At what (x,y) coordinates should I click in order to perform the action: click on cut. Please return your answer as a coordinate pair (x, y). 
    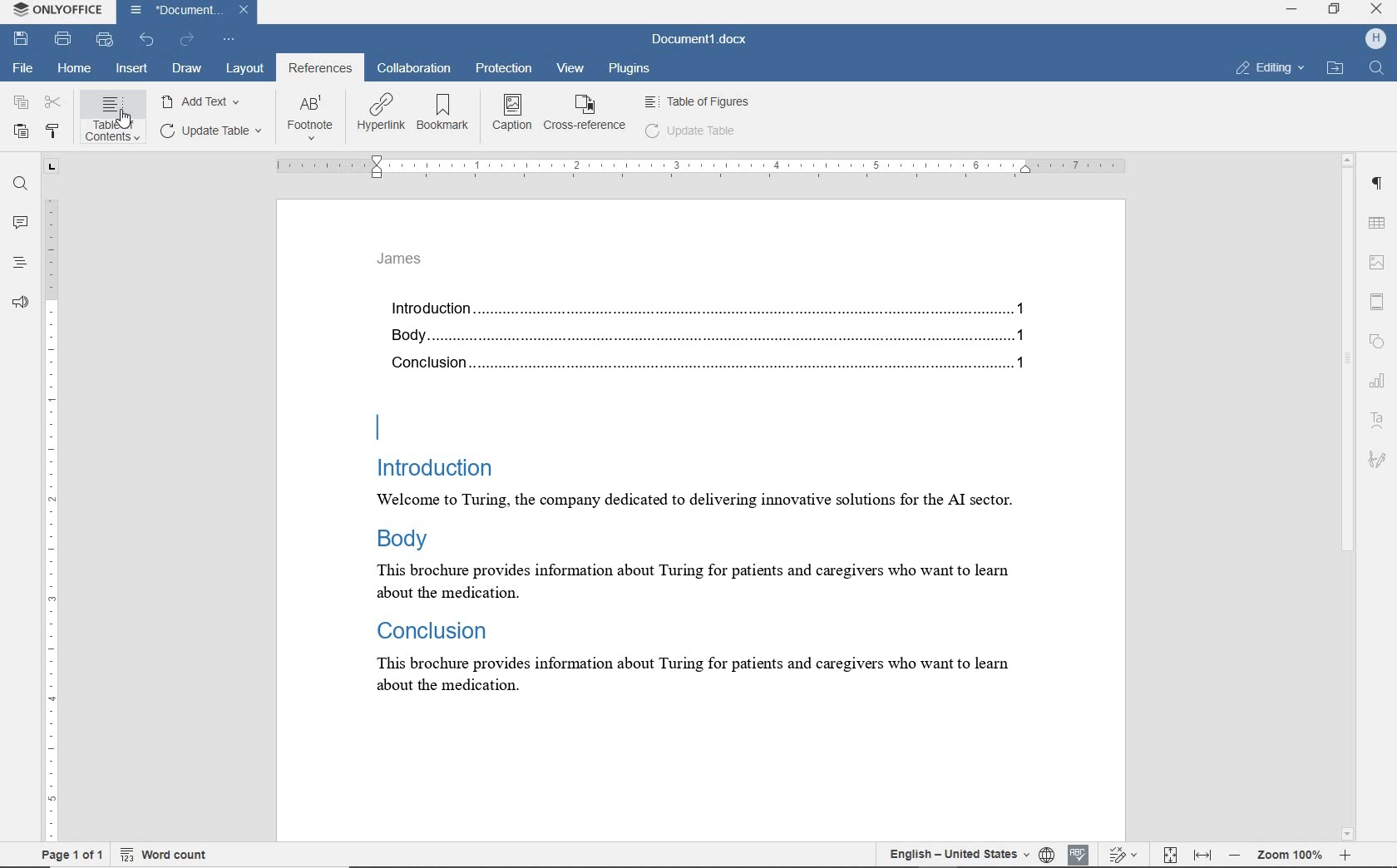
    Looking at the image, I should click on (52, 104).